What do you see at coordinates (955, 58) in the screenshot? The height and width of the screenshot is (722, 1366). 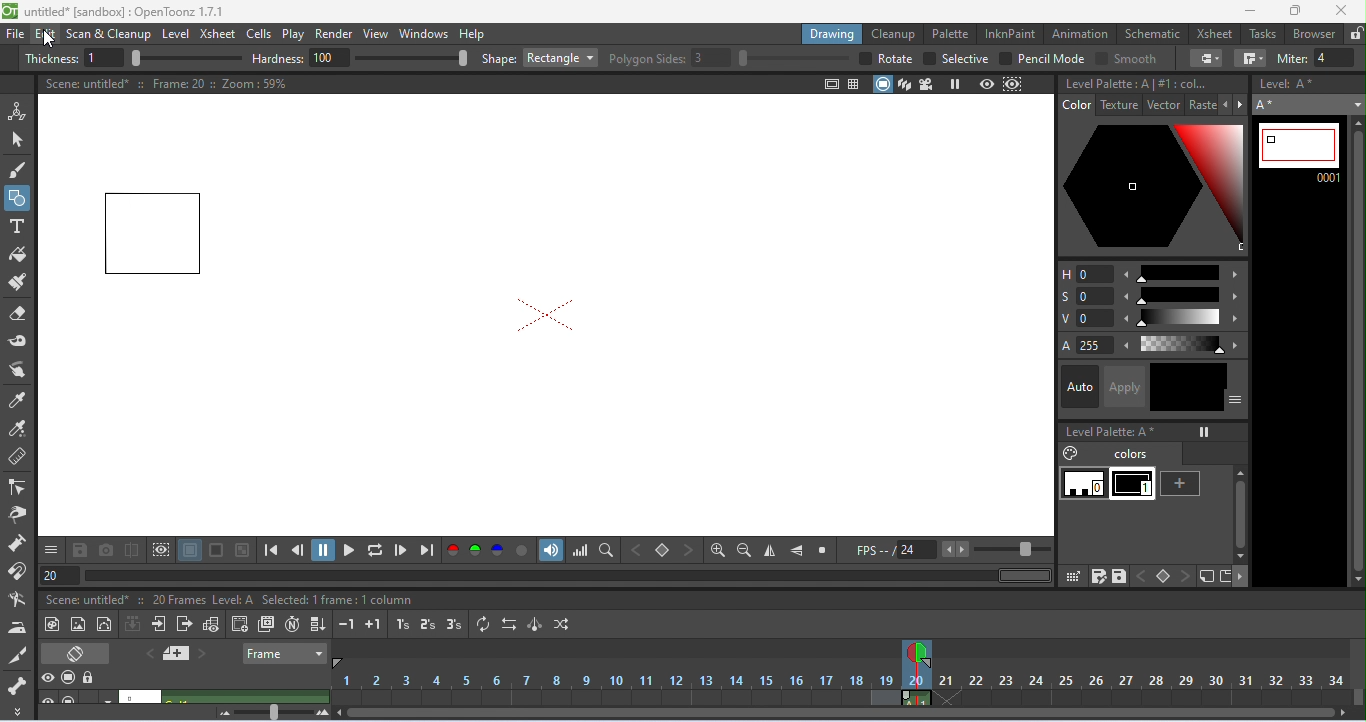 I see `selective` at bounding box center [955, 58].